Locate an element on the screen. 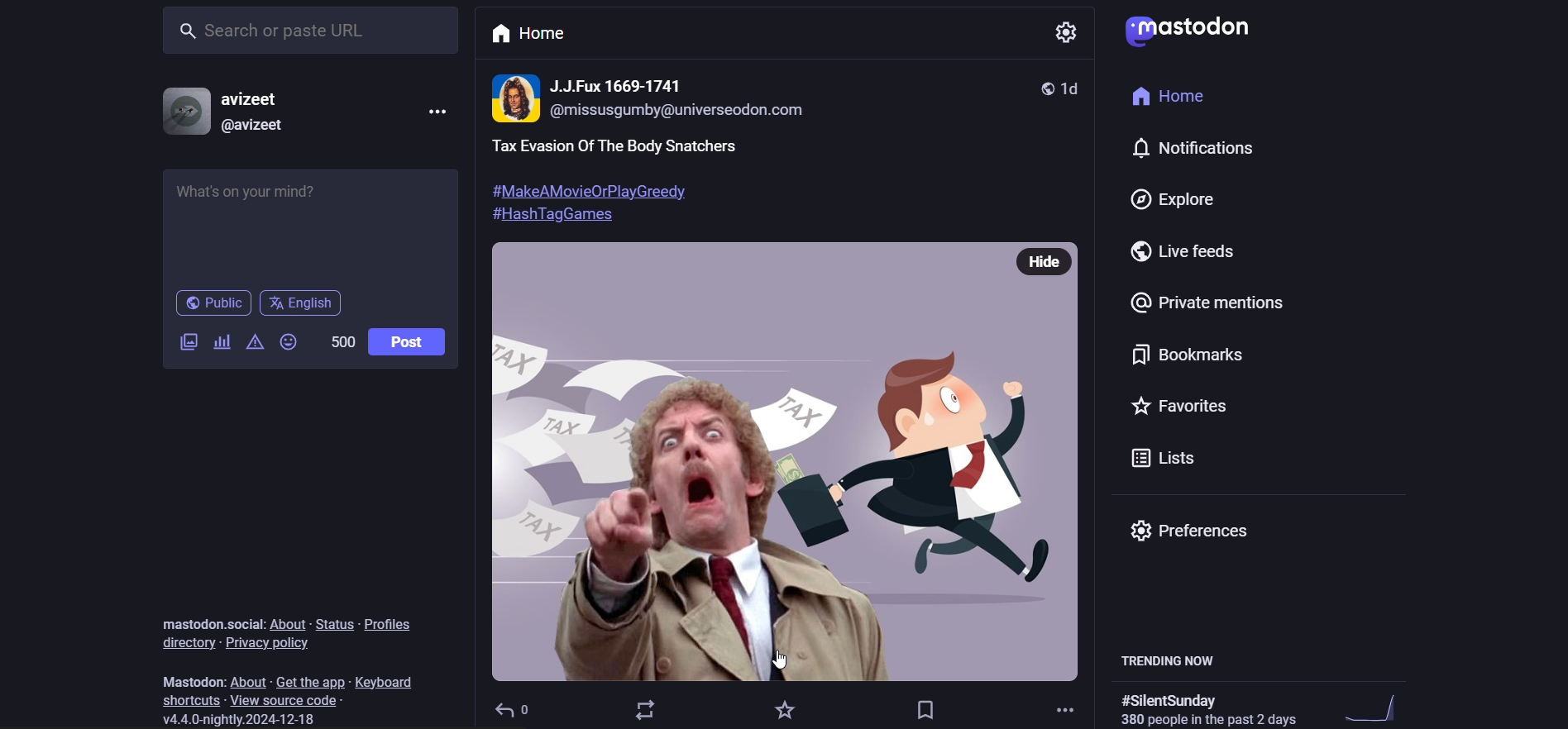 Image resolution: width=1568 pixels, height=729 pixels. list is located at coordinates (1181, 455).